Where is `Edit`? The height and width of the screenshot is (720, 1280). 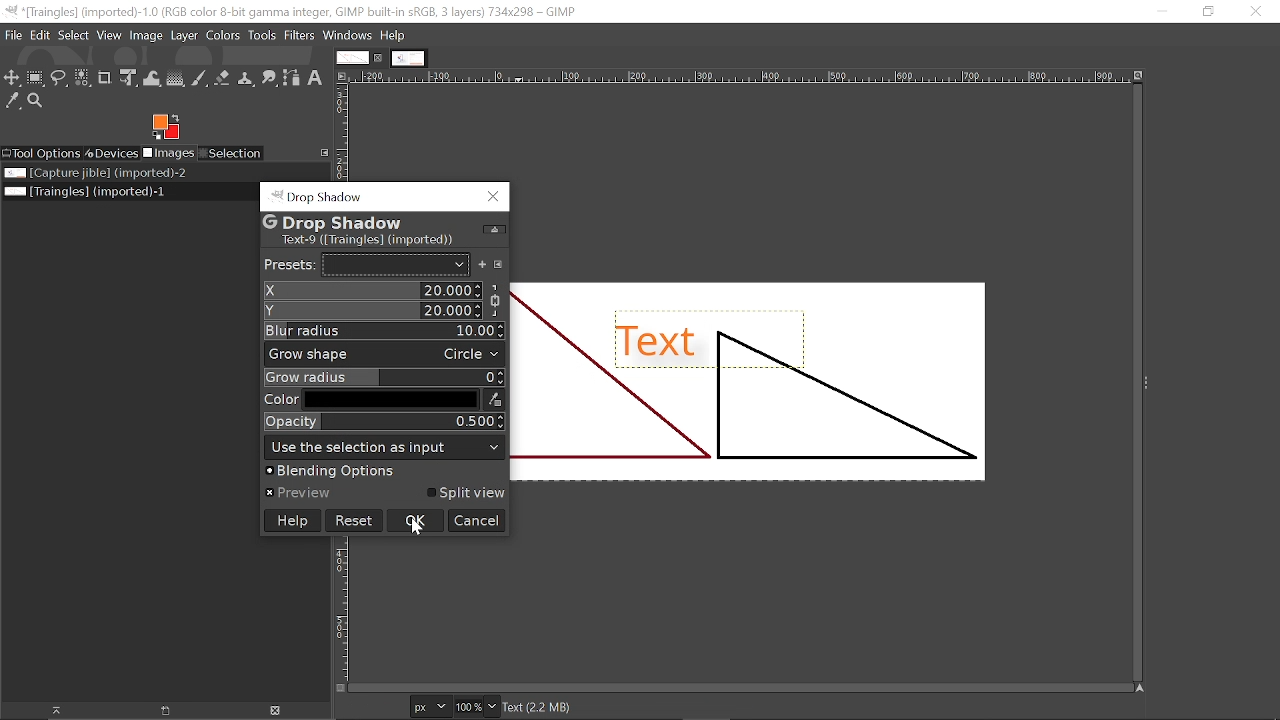 Edit is located at coordinates (40, 35).